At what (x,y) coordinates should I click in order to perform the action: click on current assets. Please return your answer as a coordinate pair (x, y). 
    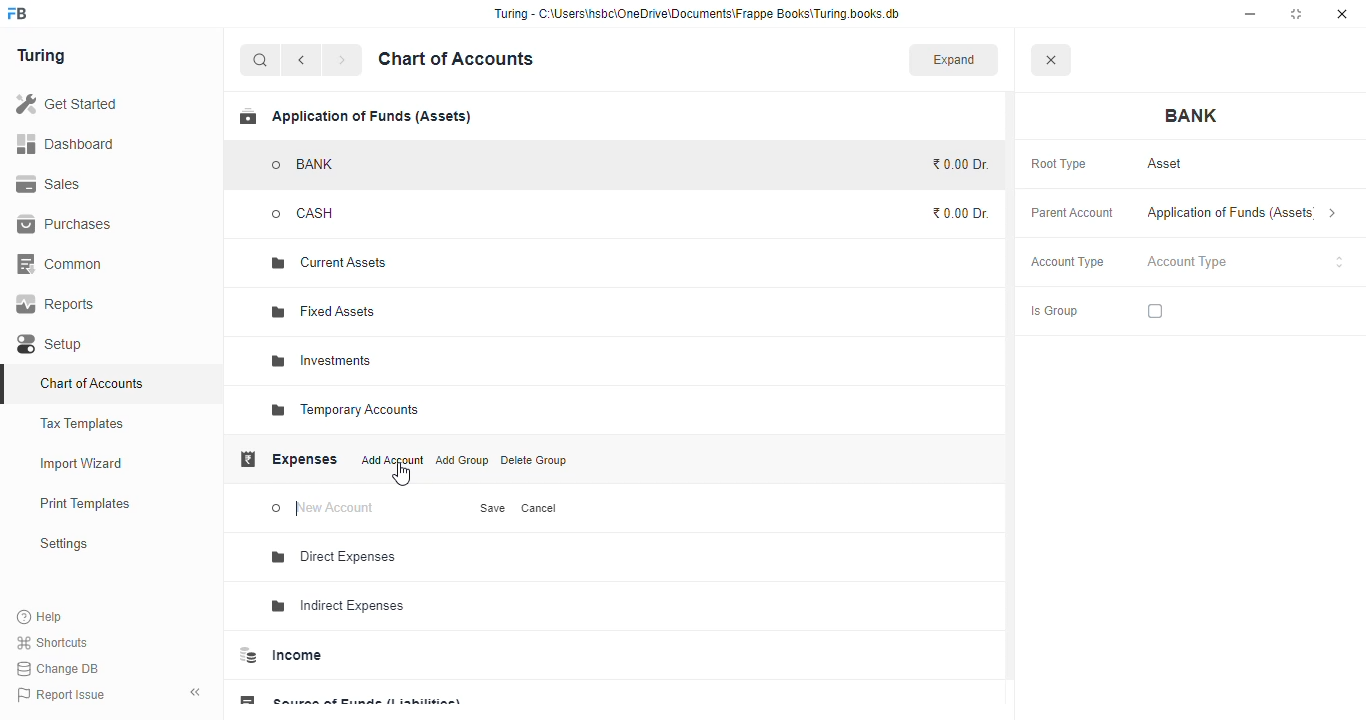
    Looking at the image, I should click on (329, 264).